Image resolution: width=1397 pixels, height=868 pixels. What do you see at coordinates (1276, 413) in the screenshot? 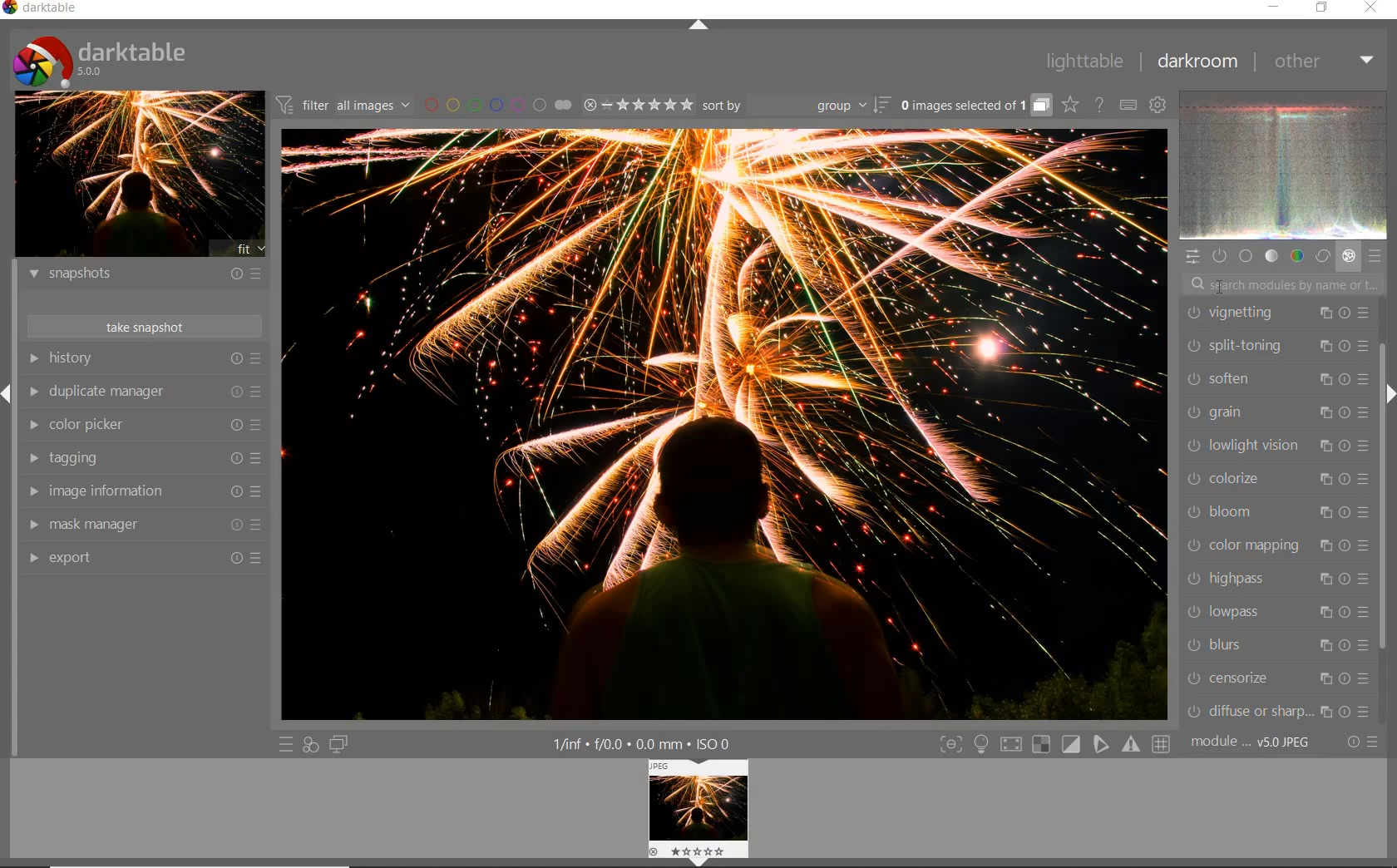
I see `grain` at bounding box center [1276, 413].